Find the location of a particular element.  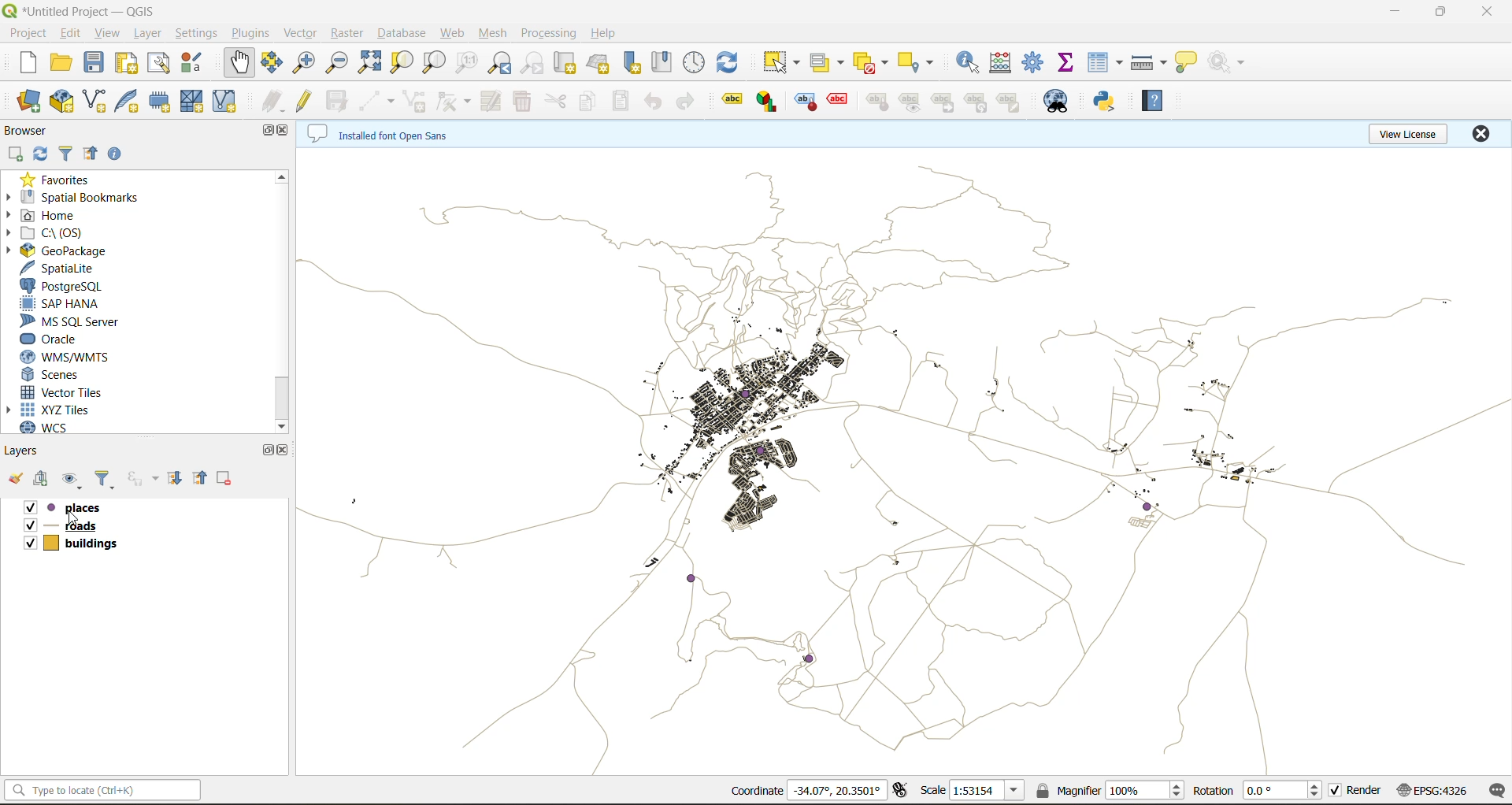

show spatial bookmark is located at coordinates (665, 63).